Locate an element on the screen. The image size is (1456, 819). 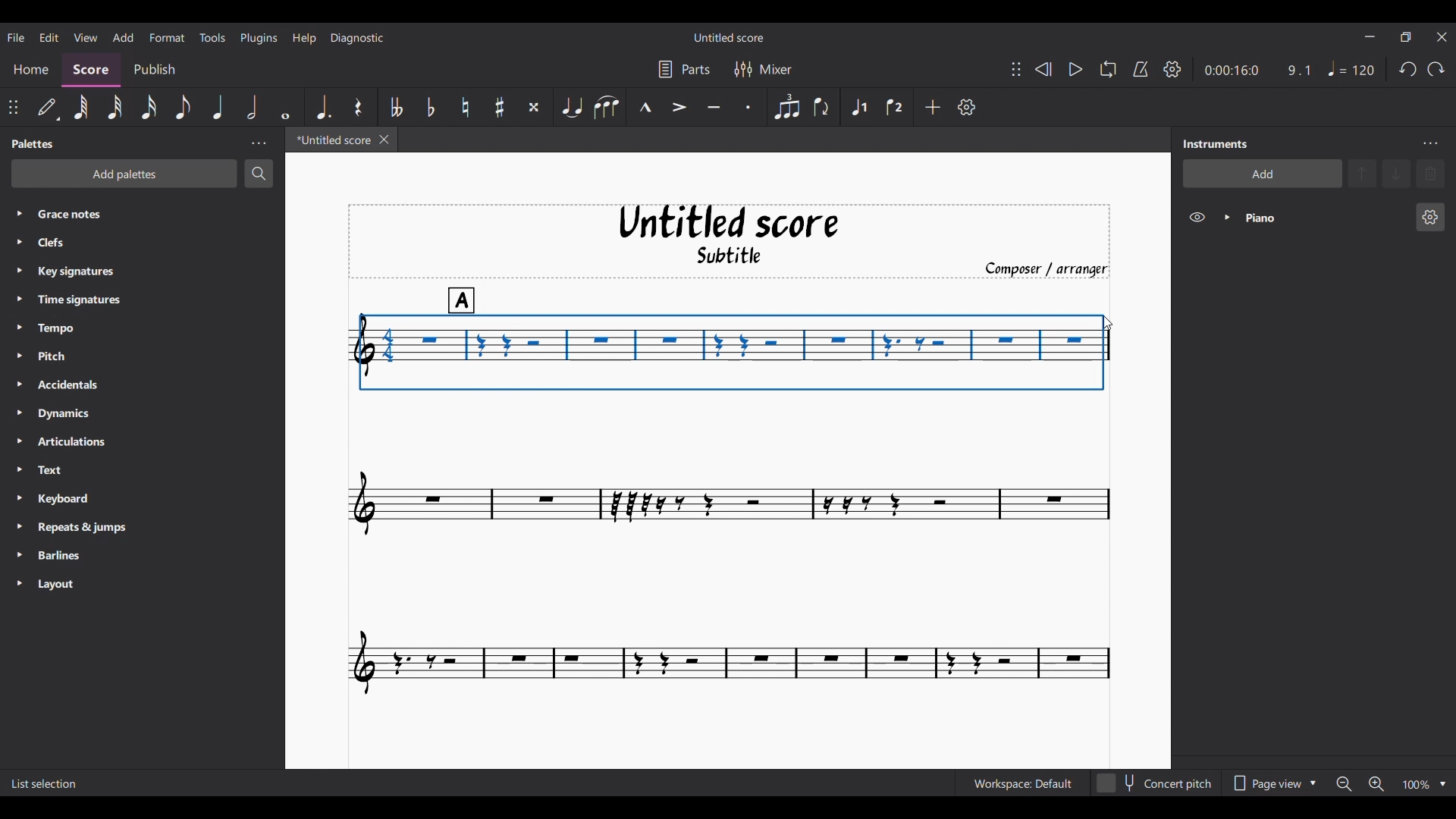
Home section is located at coordinates (32, 67).